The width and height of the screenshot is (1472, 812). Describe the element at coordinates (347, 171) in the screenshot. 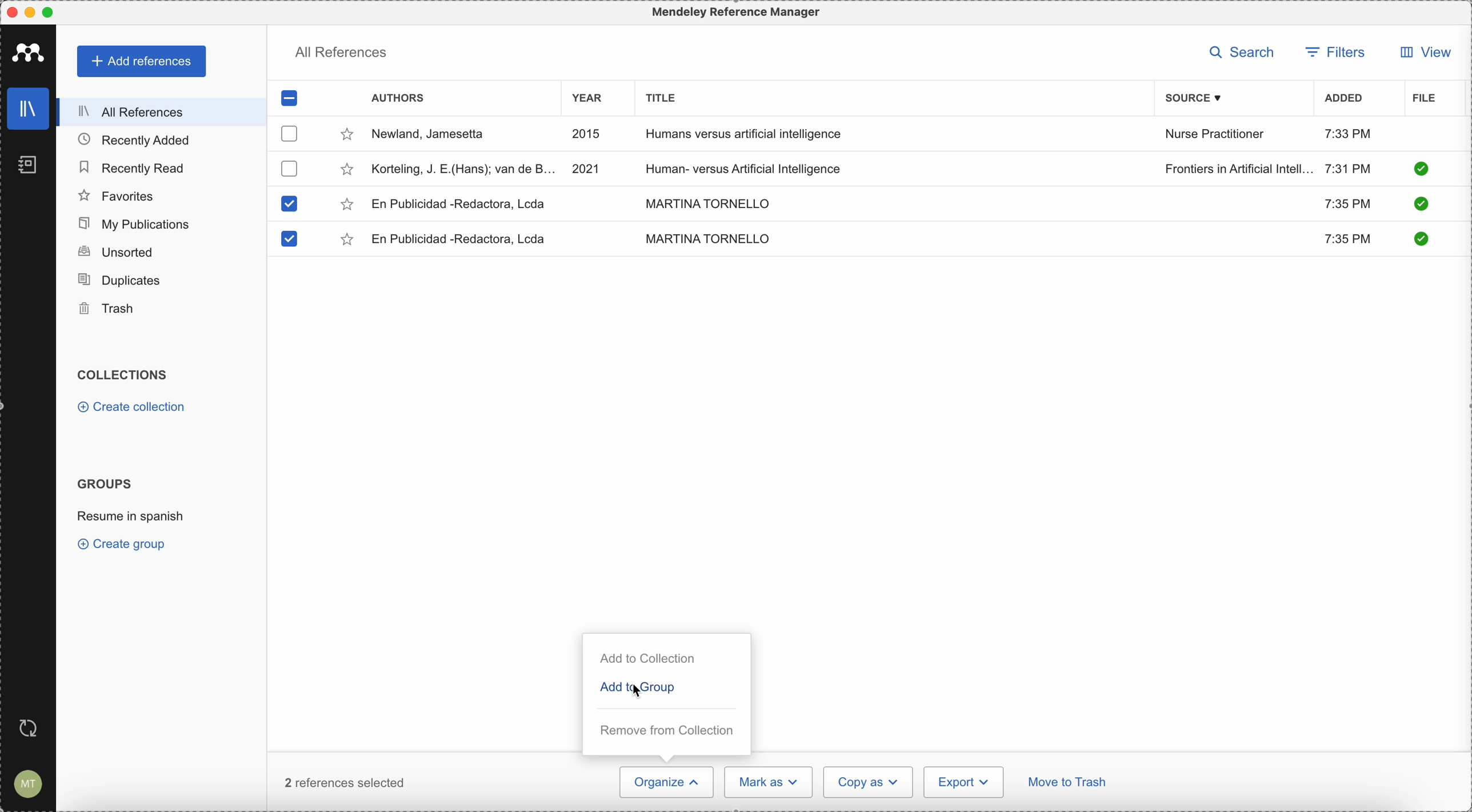

I see `favorite` at that location.